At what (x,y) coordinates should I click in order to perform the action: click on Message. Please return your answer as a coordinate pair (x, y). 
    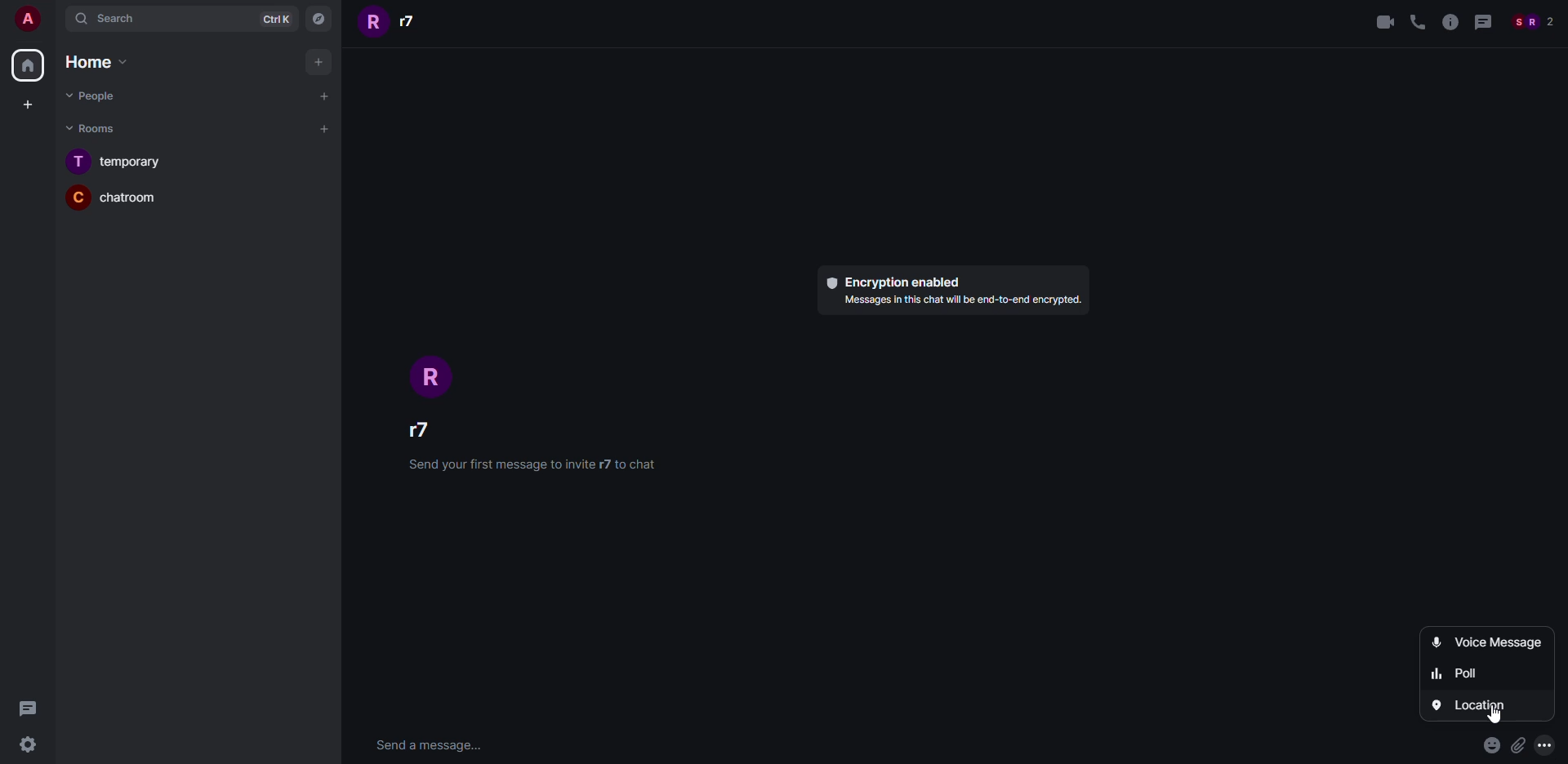
    Looking at the image, I should click on (1481, 24).